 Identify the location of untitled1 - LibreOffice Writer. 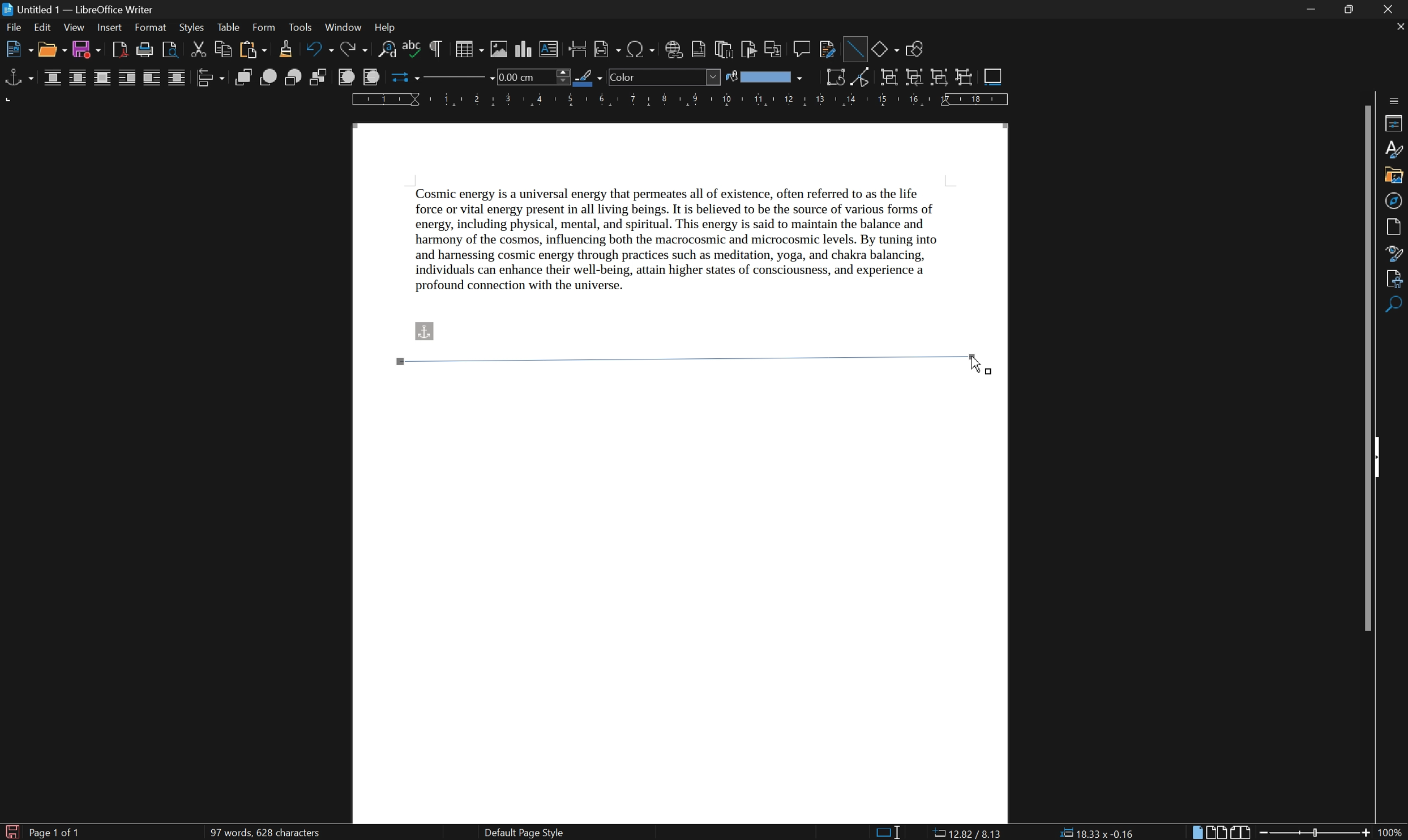
(81, 9).